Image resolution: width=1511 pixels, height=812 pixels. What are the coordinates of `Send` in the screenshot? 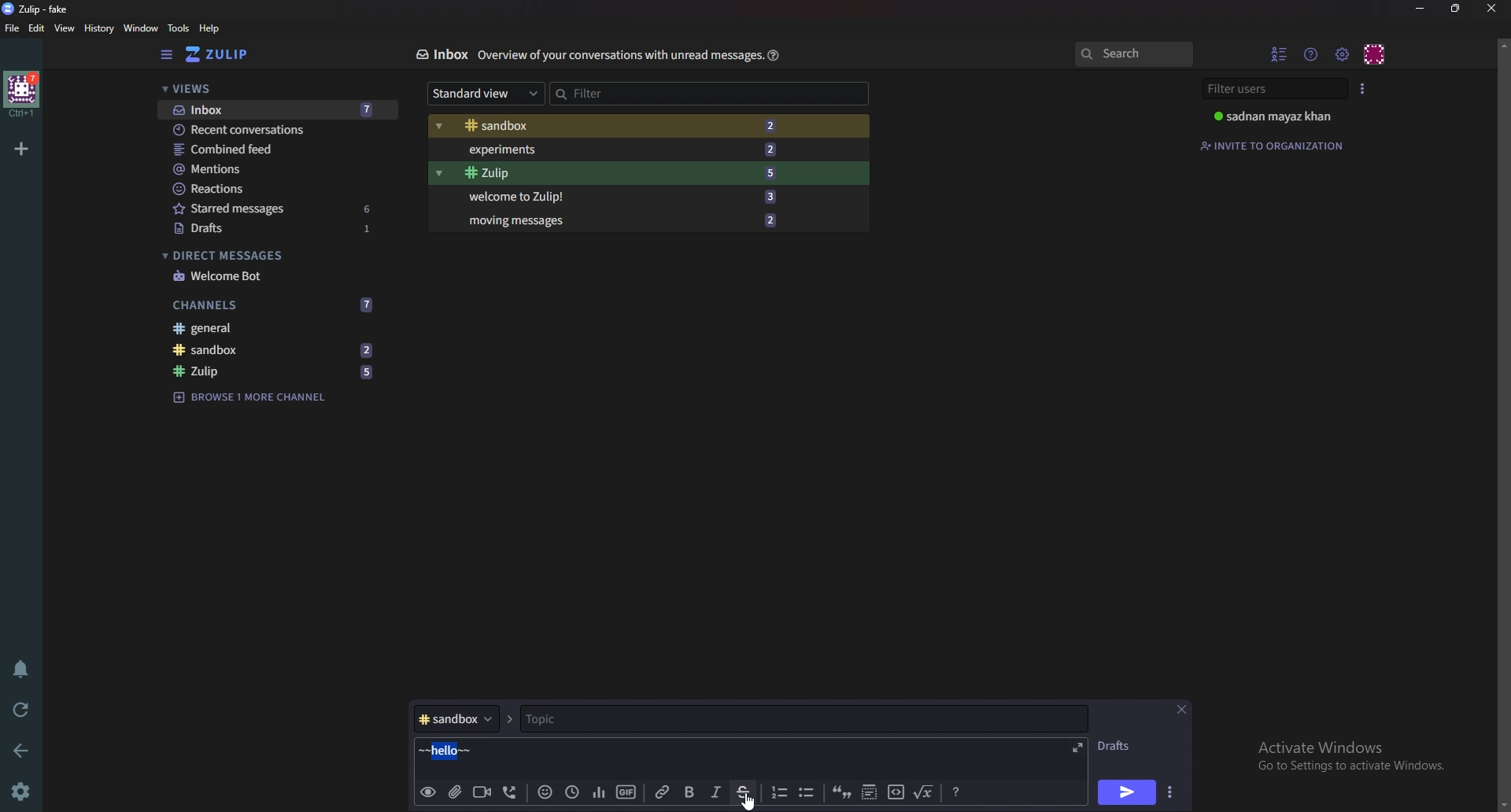 It's located at (1126, 792).